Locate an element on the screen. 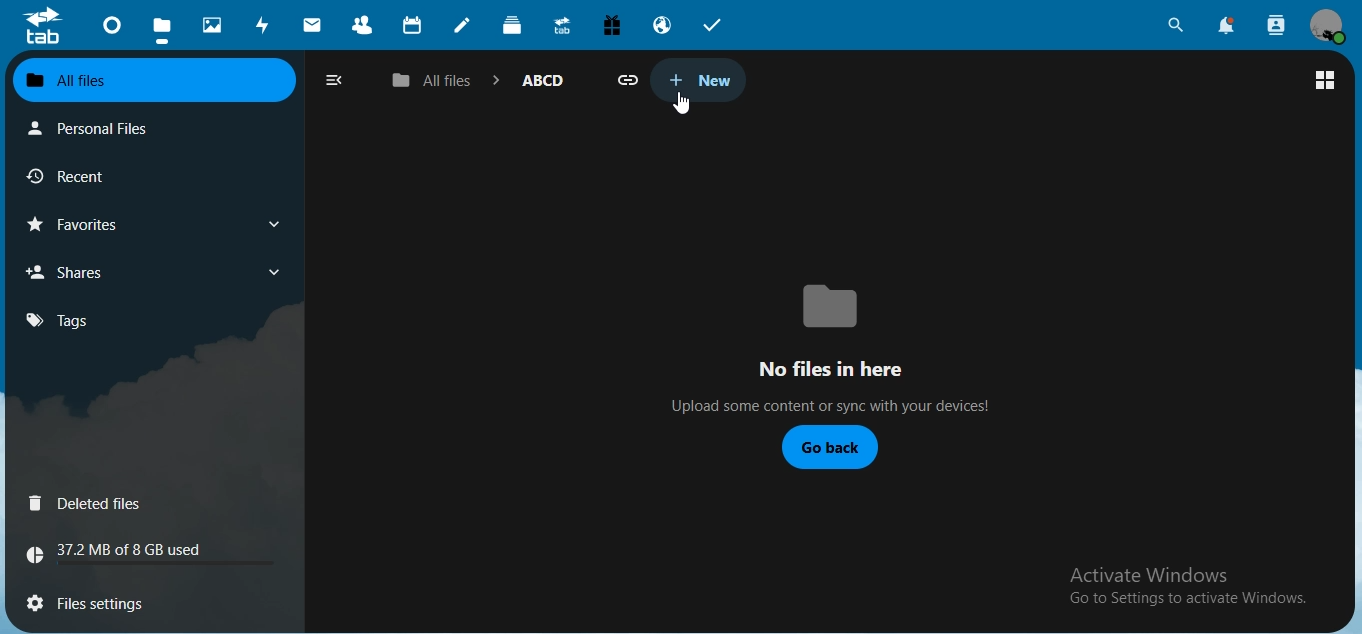 Image resolution: width=1362 pixels, height=634 pixels. photos is located at coordinates (213, 23).